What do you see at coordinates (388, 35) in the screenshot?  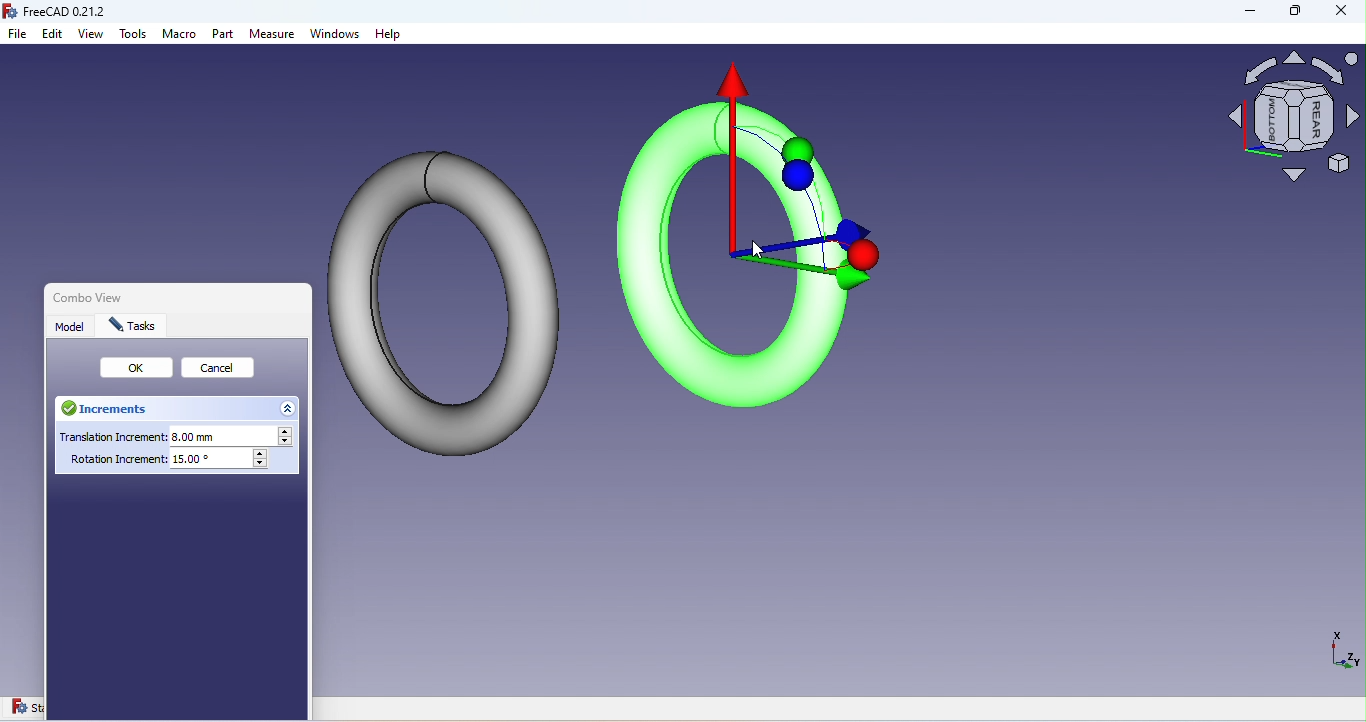 I see `Help` at bounding box center [388, 35].